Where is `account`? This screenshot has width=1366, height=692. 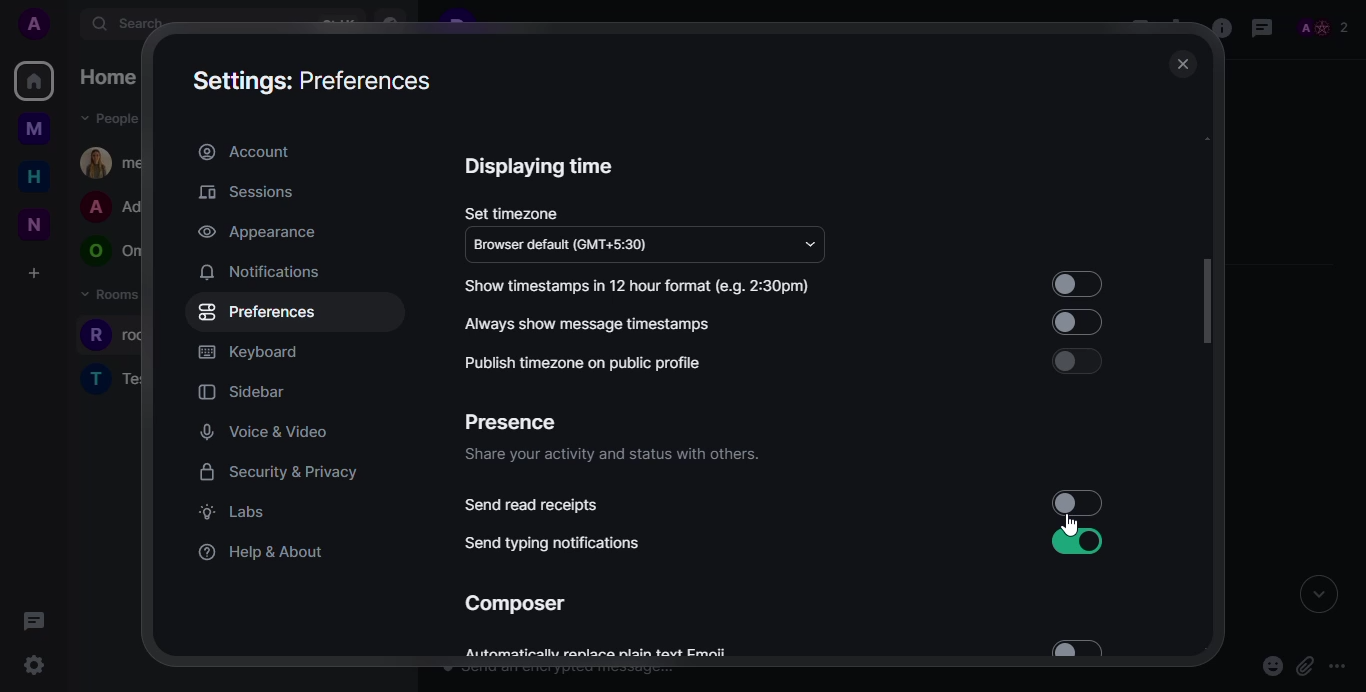
account is located at coordinates (244, 150).